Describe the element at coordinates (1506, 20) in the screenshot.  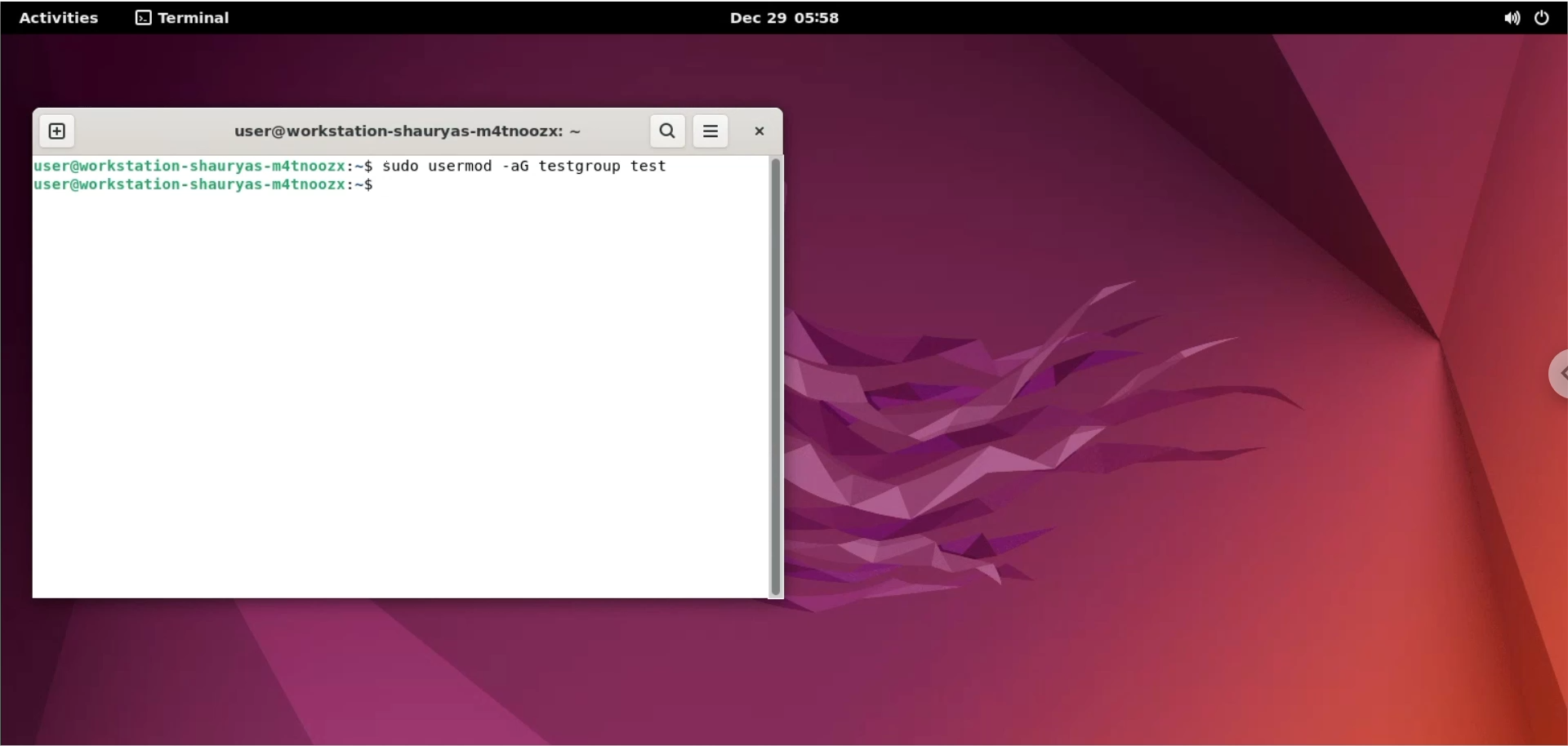
I see `sound option` at that location.